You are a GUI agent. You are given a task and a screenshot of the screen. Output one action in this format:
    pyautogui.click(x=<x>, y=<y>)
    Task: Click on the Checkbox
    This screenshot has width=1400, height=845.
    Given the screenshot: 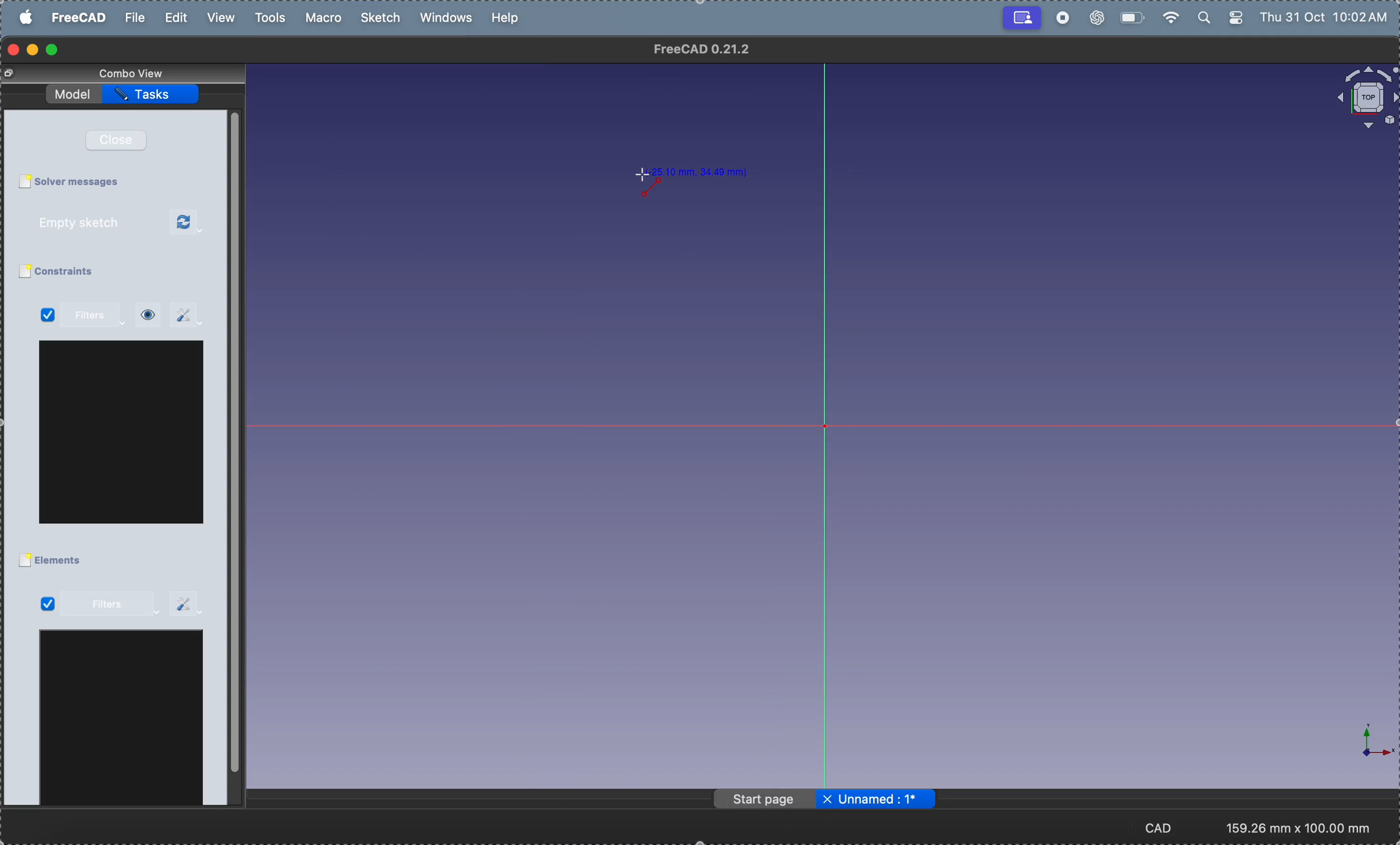 What is the action you would take?
    pyautogui.click(x=24, y=182)
    